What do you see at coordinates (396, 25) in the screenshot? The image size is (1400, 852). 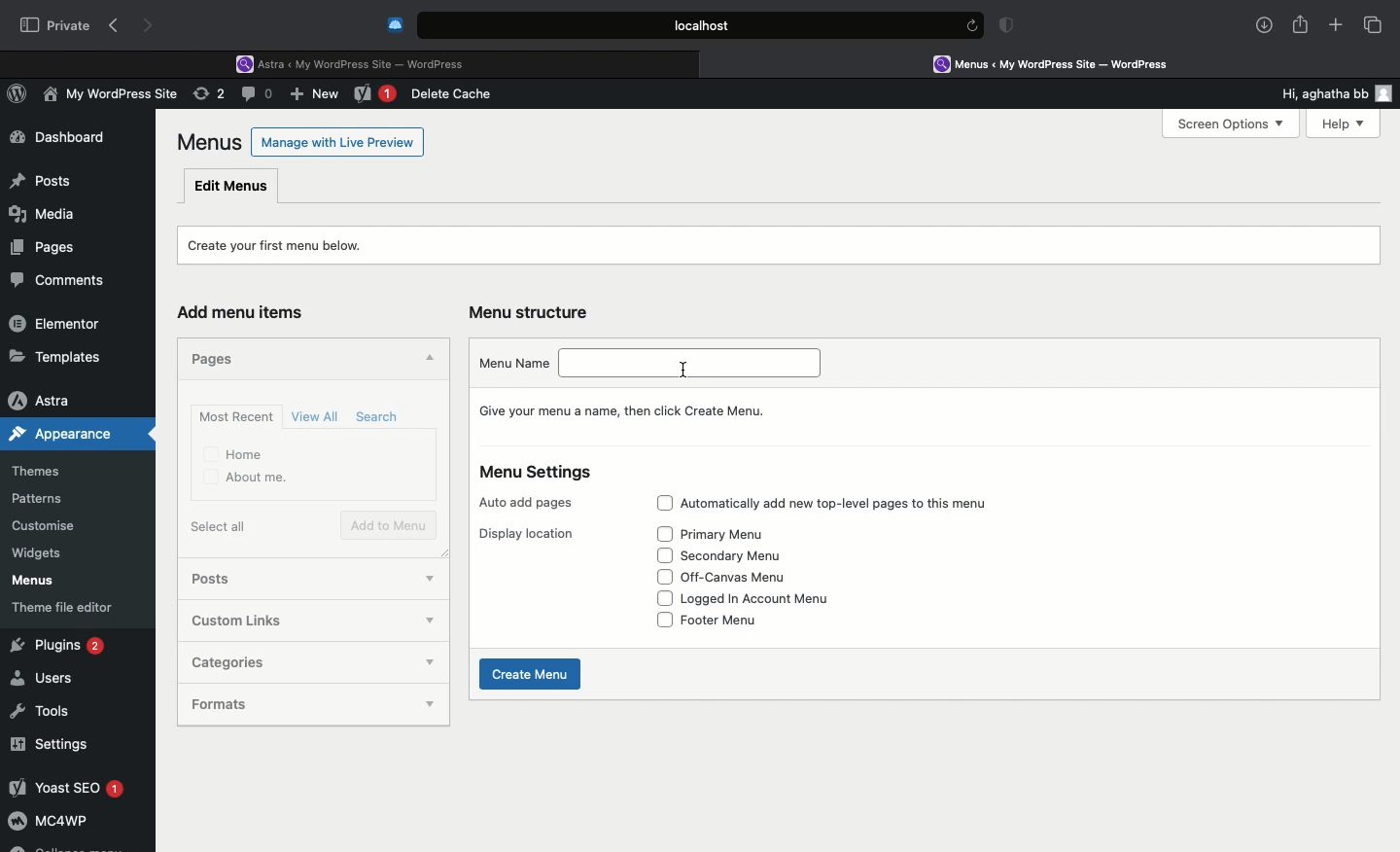 I see `Cold turkey` at bounding box center [396, 25].